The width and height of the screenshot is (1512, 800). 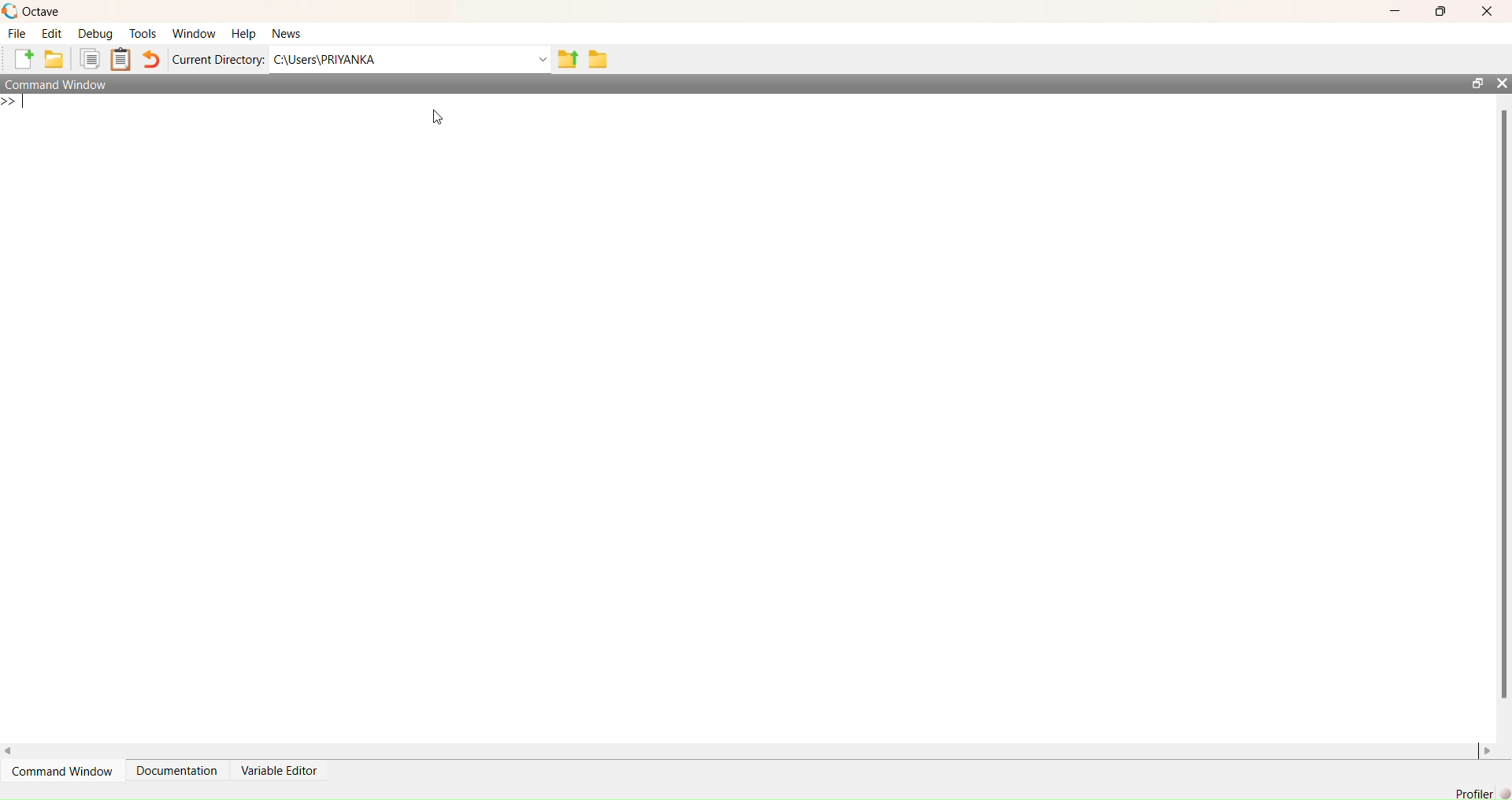 What do you see at coordinates (569, 59) in the screenshot?
I see `share folder` at bounding box center [569, 59].